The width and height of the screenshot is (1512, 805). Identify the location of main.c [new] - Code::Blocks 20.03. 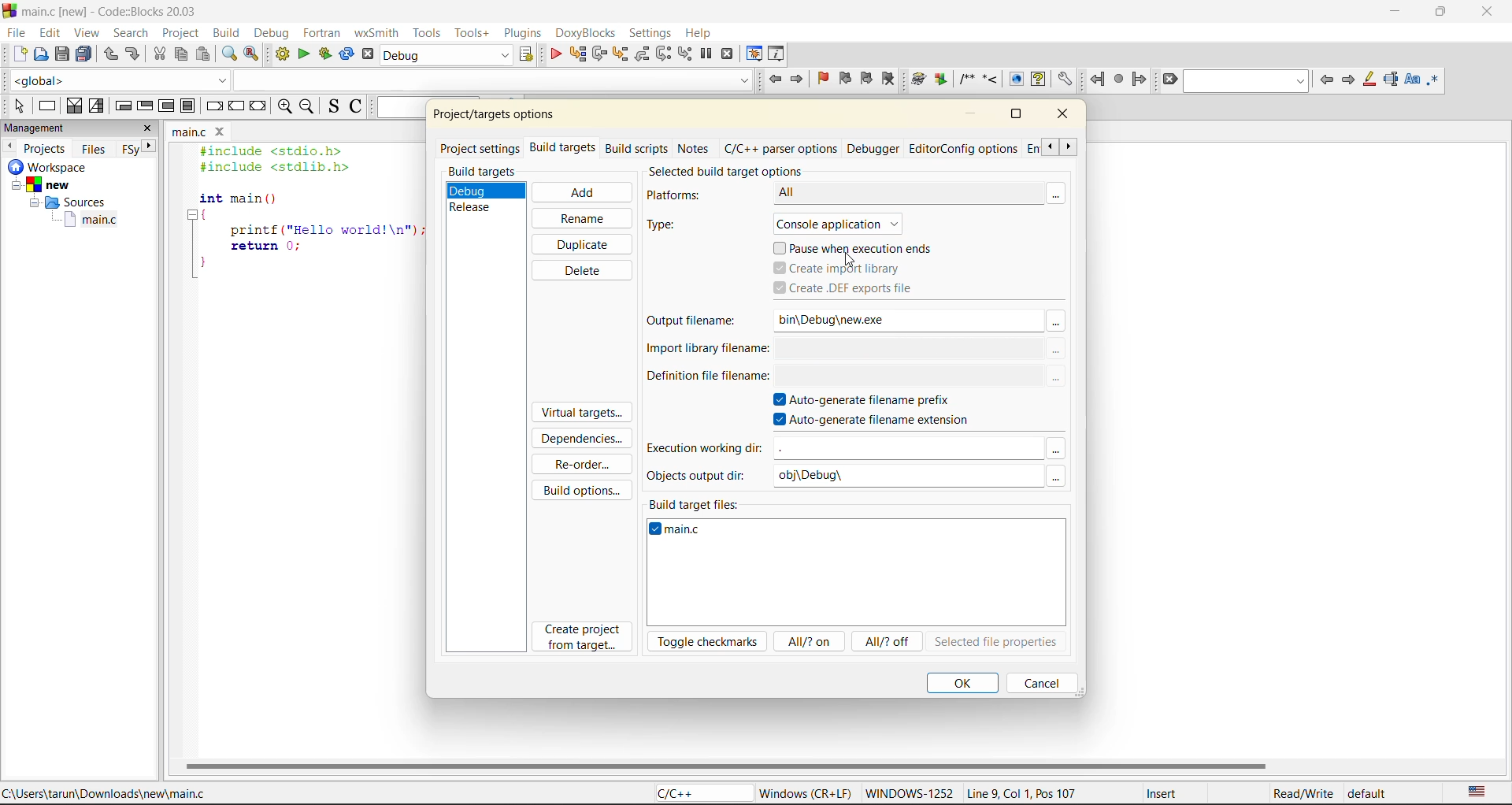
(126, 12).